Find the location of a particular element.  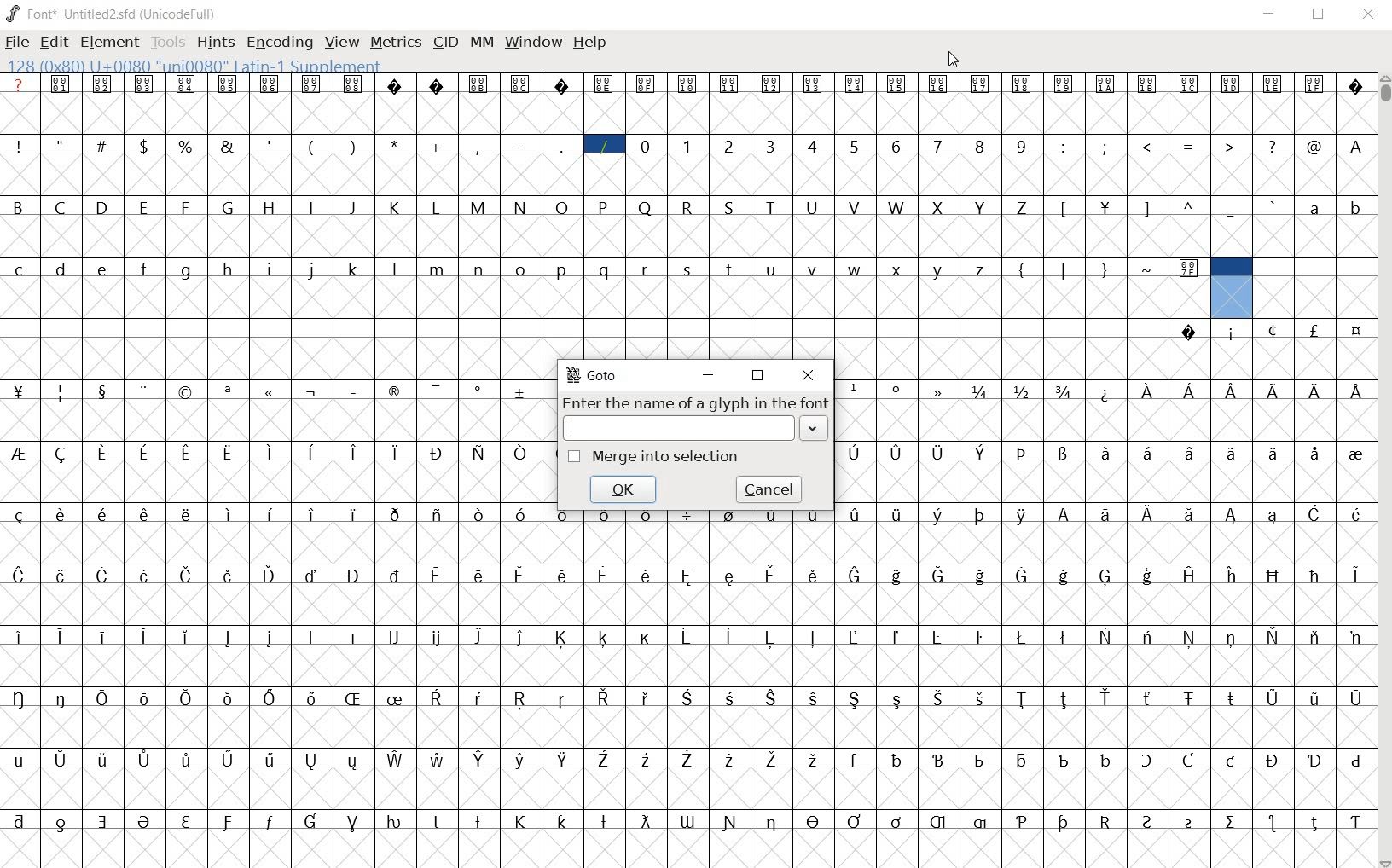

Symbol is located at coordinates (731, 83).